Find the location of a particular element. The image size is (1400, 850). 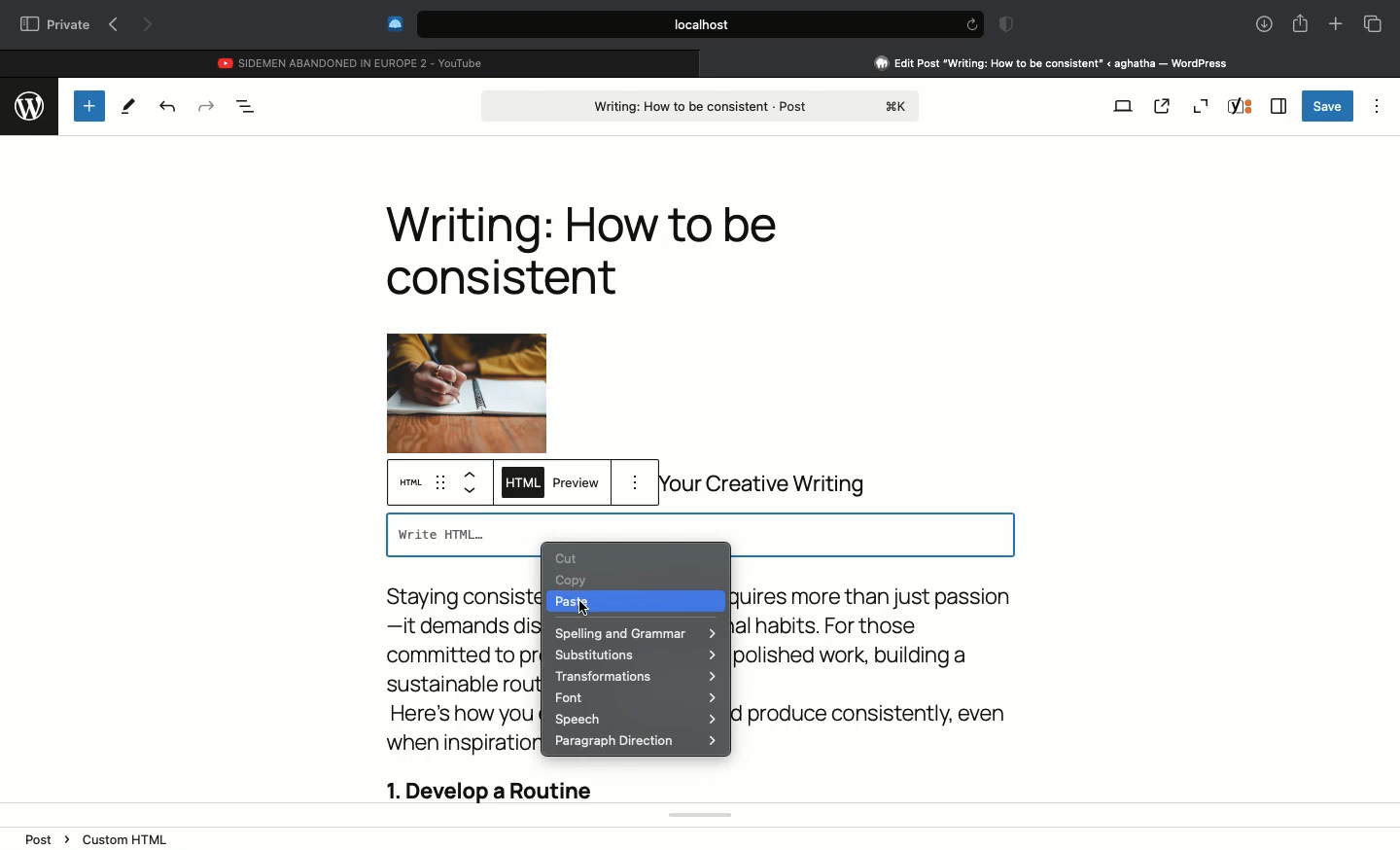

more options is located at coordinates (639, 483).